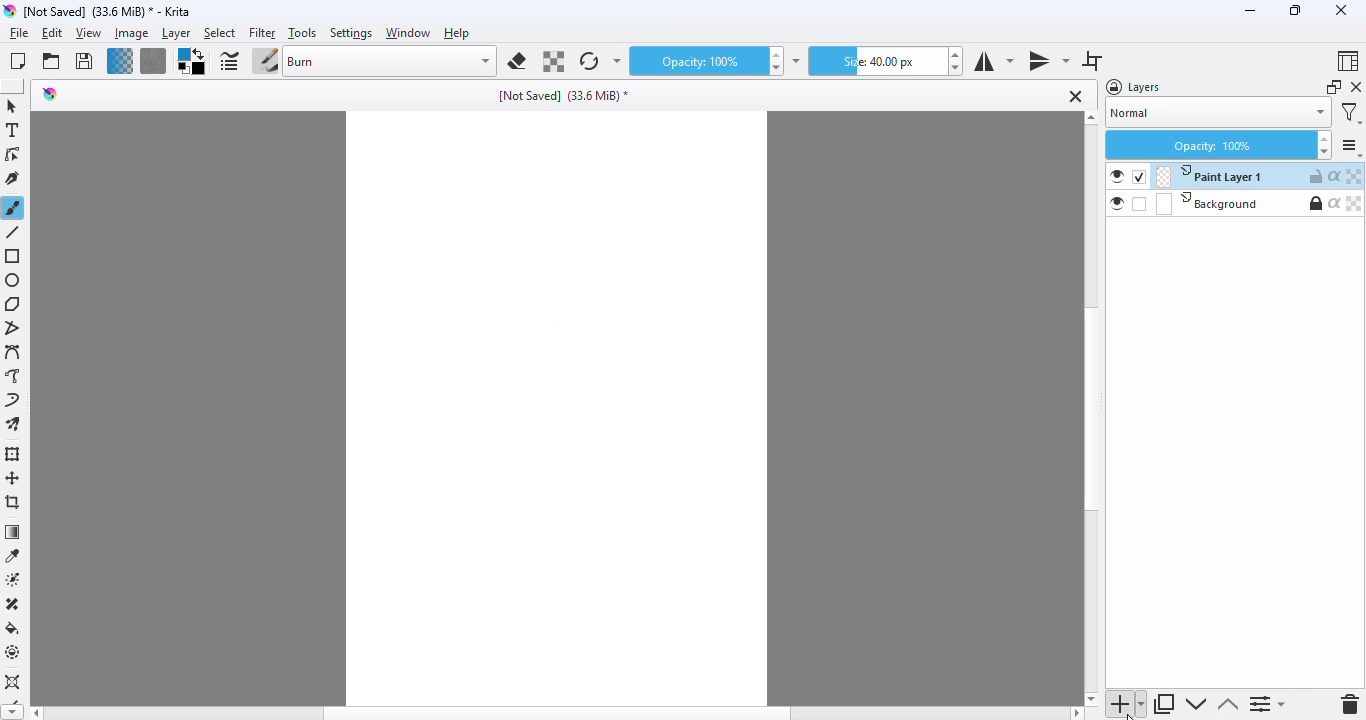 This screenshot has width=1366, height=720. Describe the element at coordinates (14, 502) in the screenshot. I see `crop the image to an area` at that location.